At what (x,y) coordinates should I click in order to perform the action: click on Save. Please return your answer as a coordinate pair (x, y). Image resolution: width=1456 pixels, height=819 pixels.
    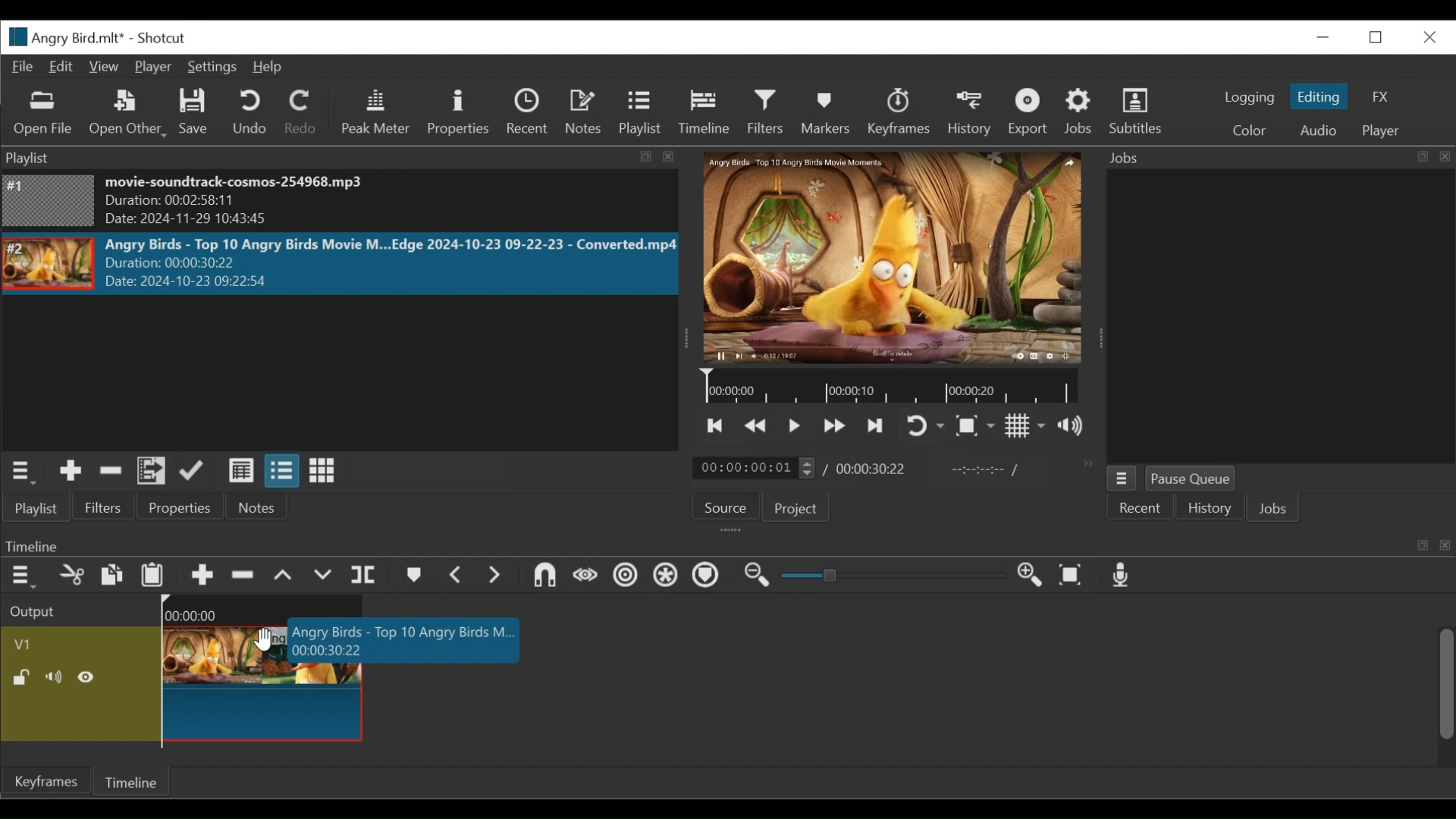
    Looking at the image, I should click on (196, 113).